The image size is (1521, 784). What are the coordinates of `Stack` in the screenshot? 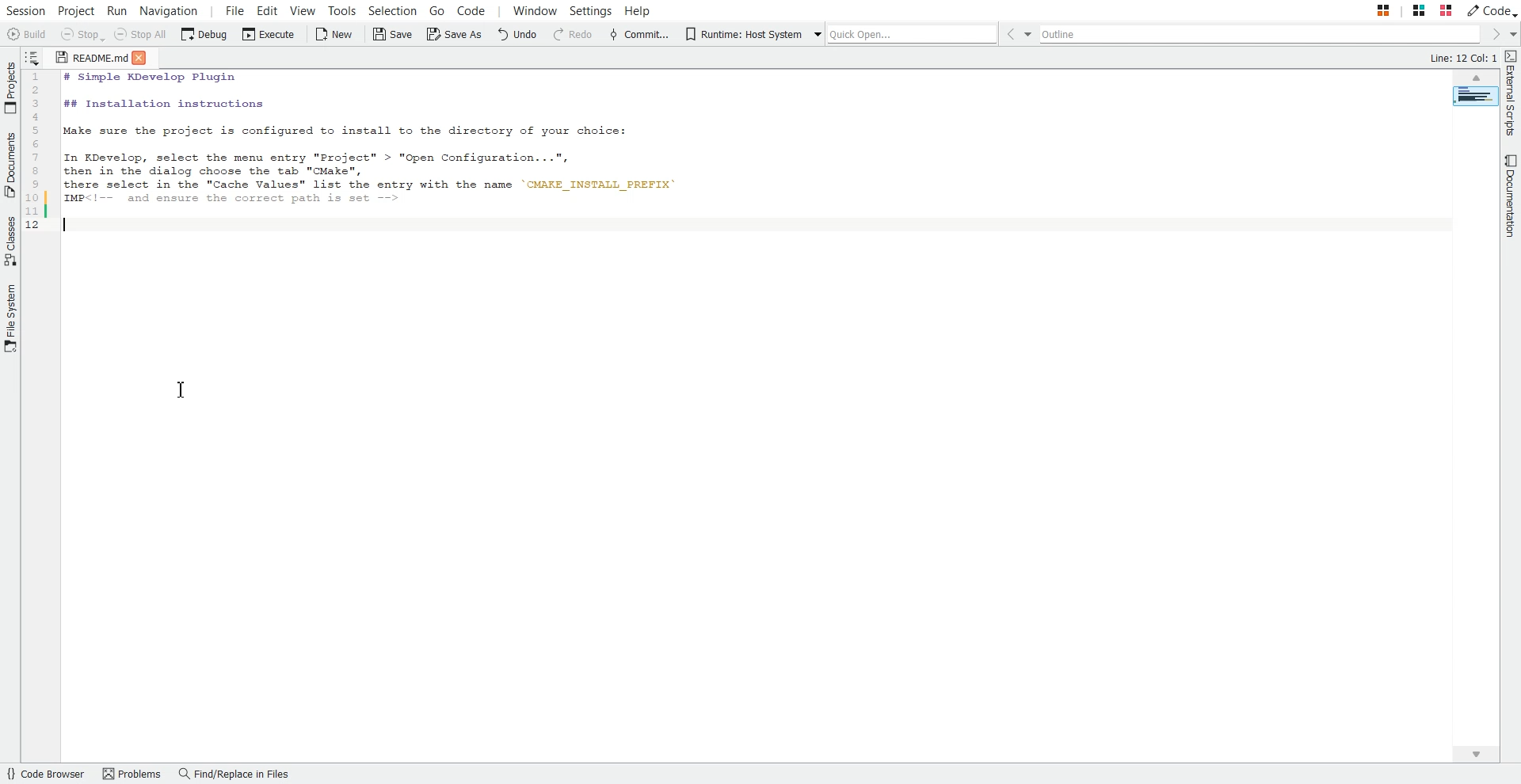 It's located at (1402, 10).